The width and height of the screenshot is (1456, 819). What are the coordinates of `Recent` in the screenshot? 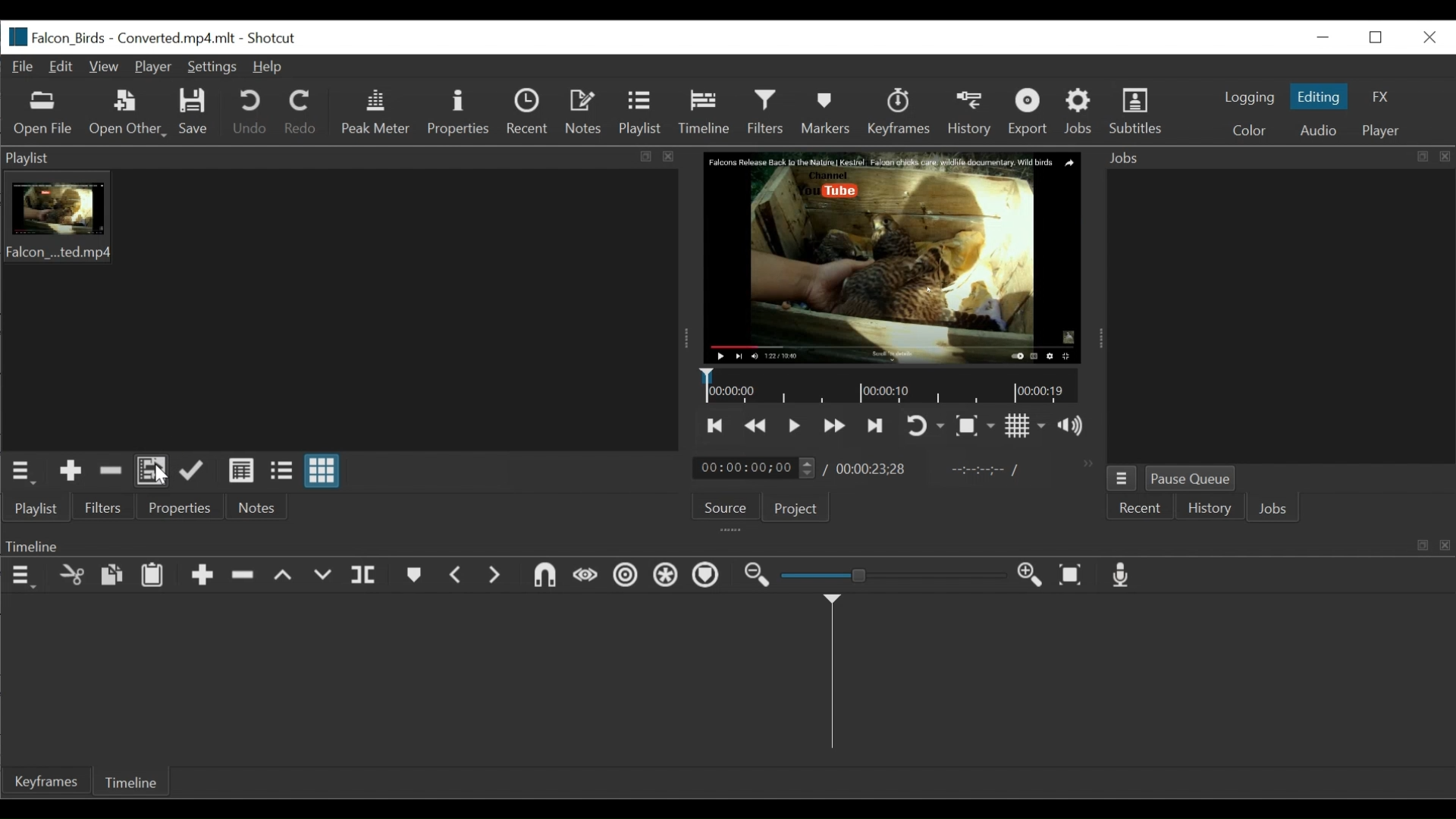 It's located at (1137, 510).